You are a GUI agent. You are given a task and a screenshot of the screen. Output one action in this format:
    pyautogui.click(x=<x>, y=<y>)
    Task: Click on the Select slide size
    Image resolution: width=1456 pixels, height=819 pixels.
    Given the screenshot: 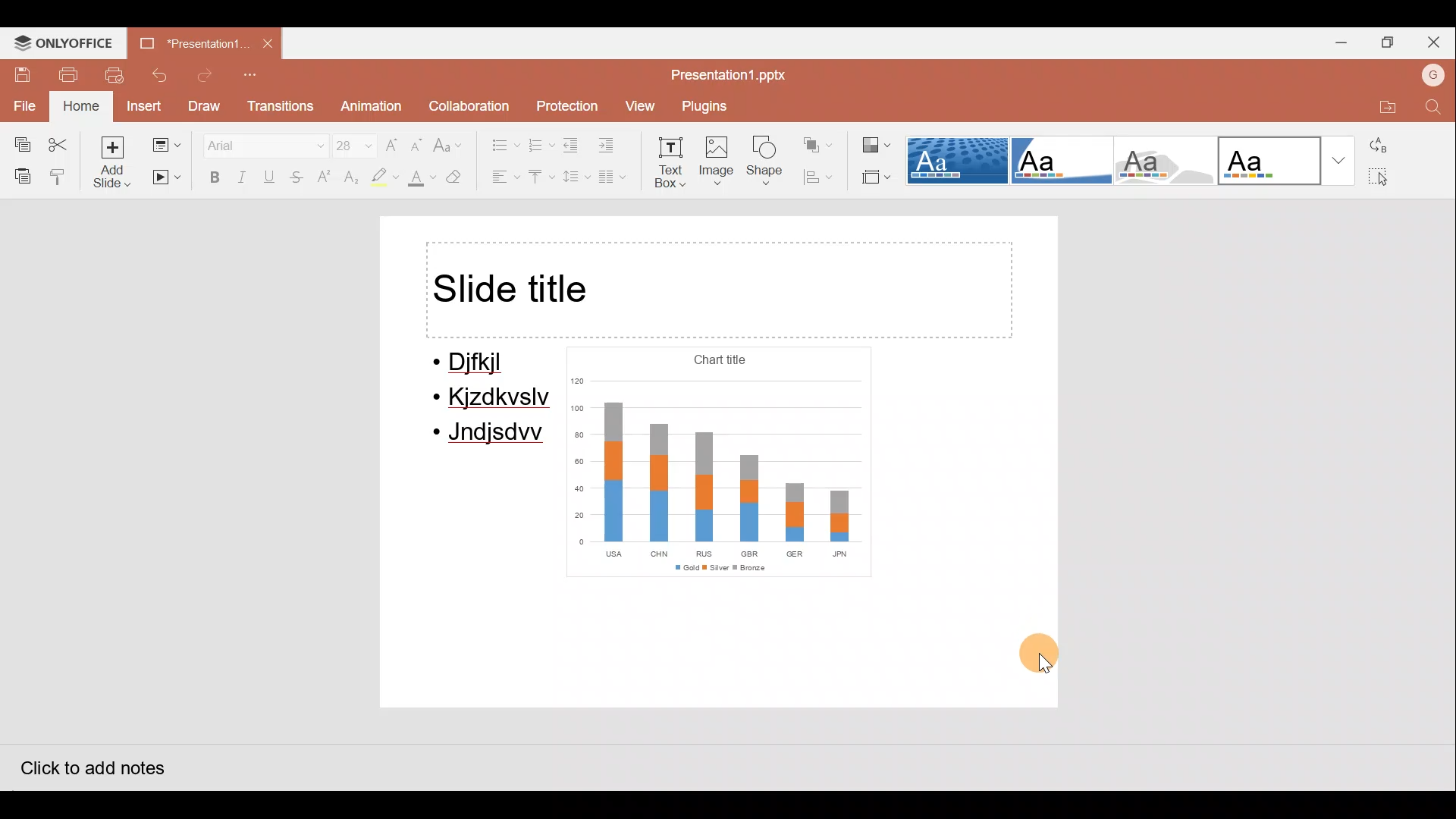 What is the action you would take?
    pyautogui.click(x=875, y=178)
    